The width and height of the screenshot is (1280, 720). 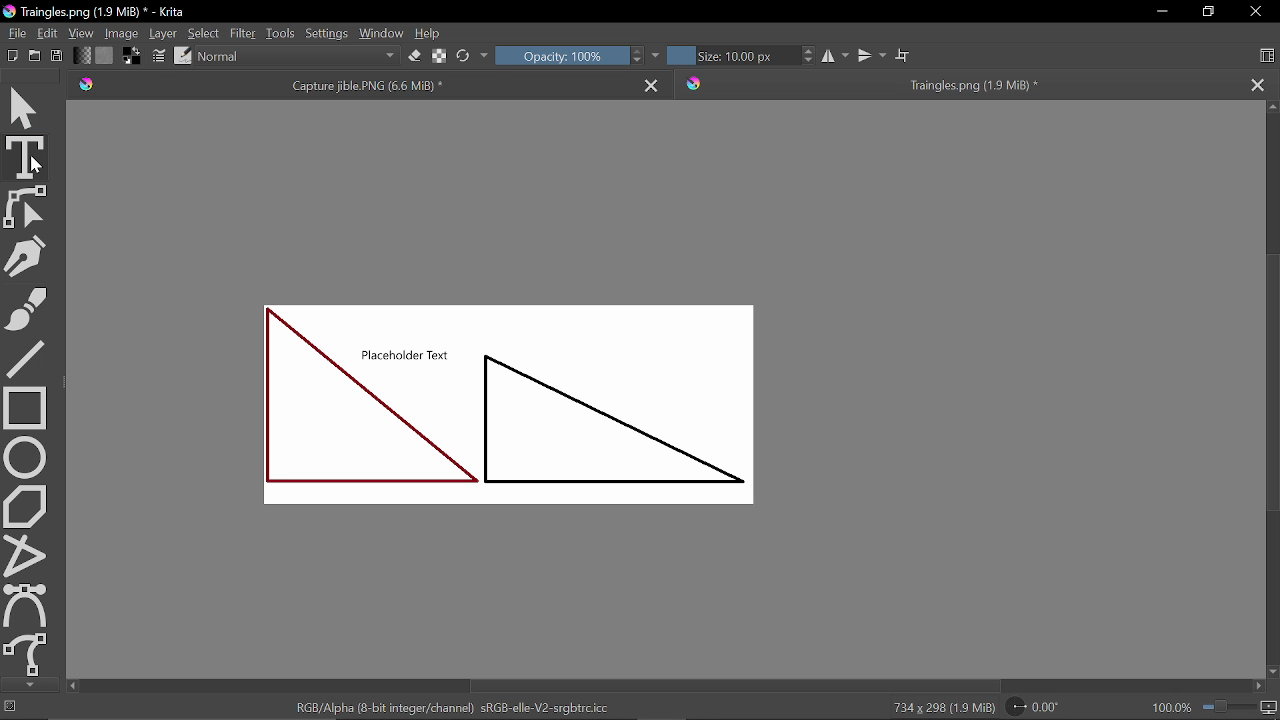 What do you see at coordinates (34, 56) in the screenshot?
I see `Open document` at bounding box center [34, 56].